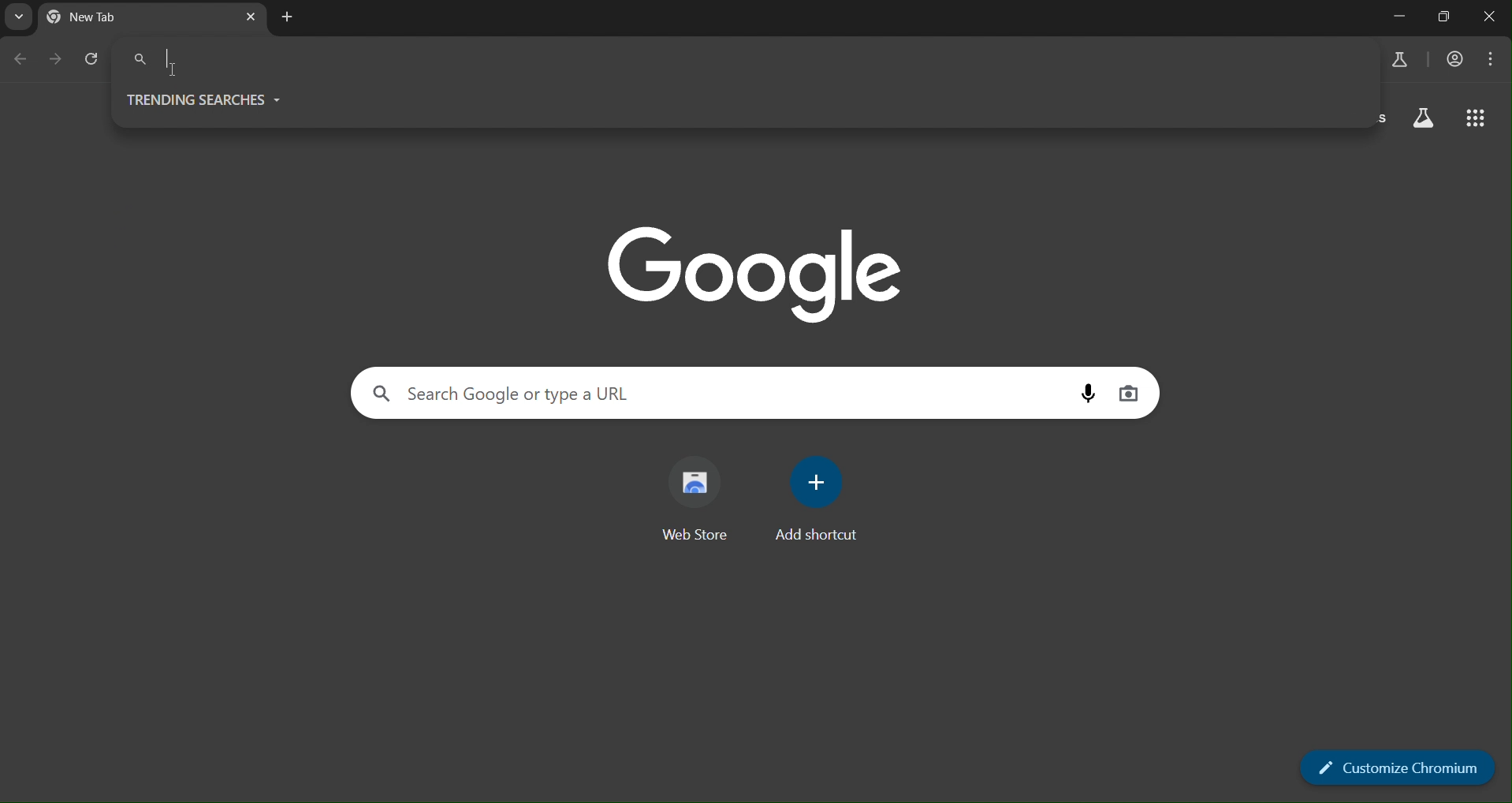 The image size is (1512, 803). I want to click on customize chromium, so click(1396, 766).